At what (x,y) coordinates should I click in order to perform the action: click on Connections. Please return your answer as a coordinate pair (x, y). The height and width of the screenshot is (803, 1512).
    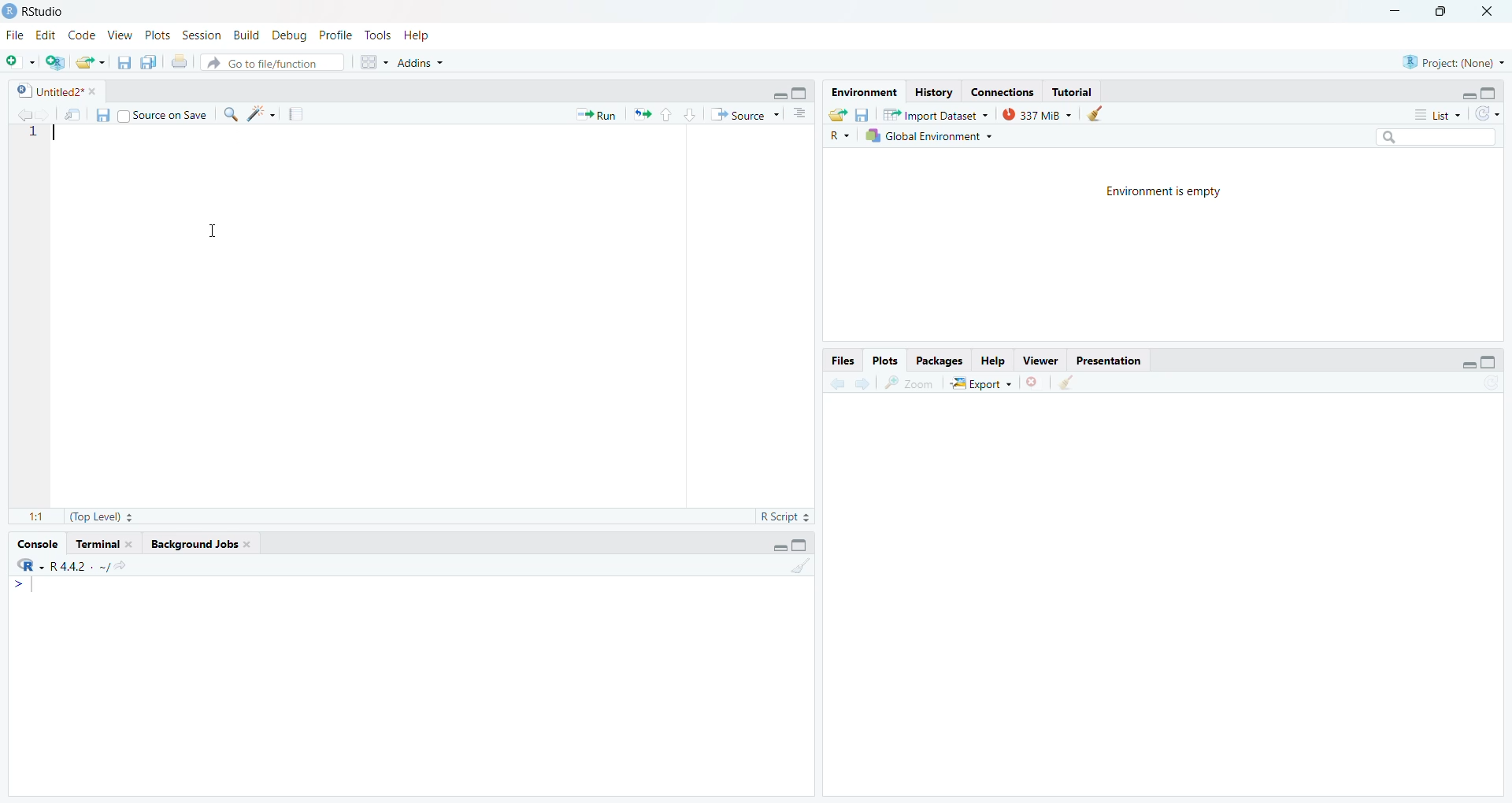
    Looking at the image, I should click on (1003, 92).